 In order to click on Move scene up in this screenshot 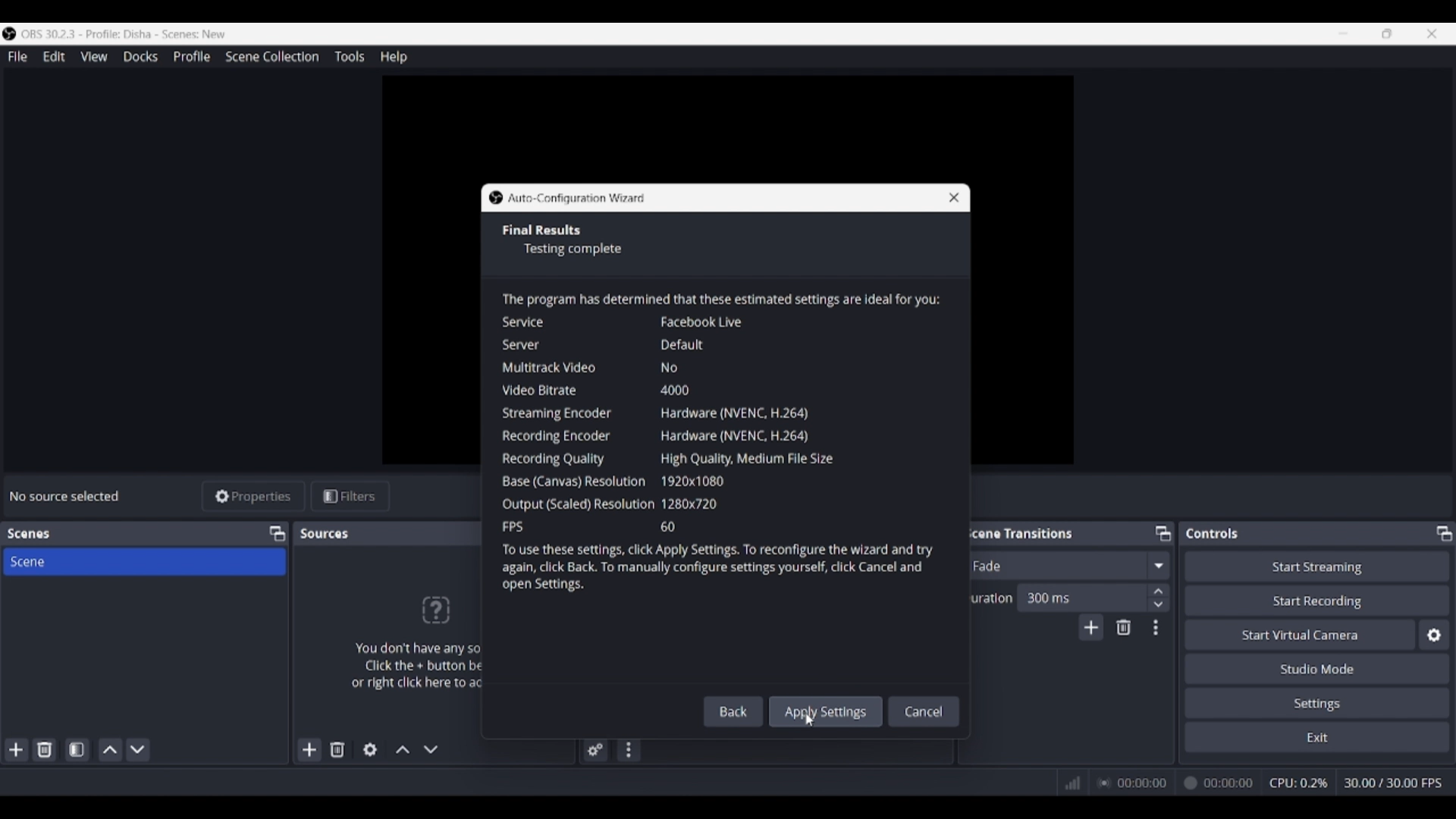, I will do `click(111, 750)`.